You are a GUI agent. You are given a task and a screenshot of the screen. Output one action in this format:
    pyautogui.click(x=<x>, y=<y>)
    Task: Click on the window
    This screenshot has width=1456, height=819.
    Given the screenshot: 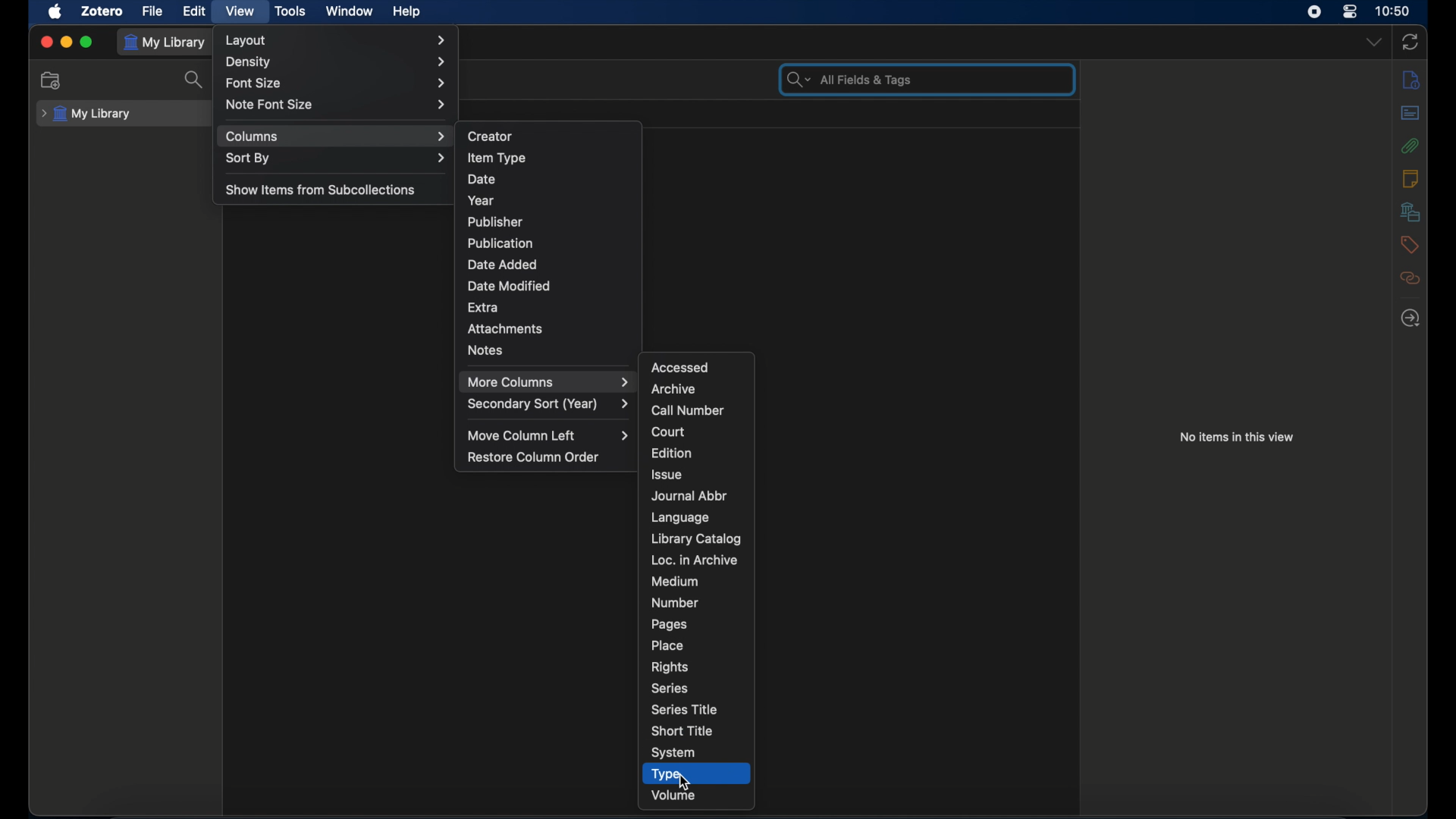 What is the action you would take?
    pyautogui.click(x=350, y=11)
    